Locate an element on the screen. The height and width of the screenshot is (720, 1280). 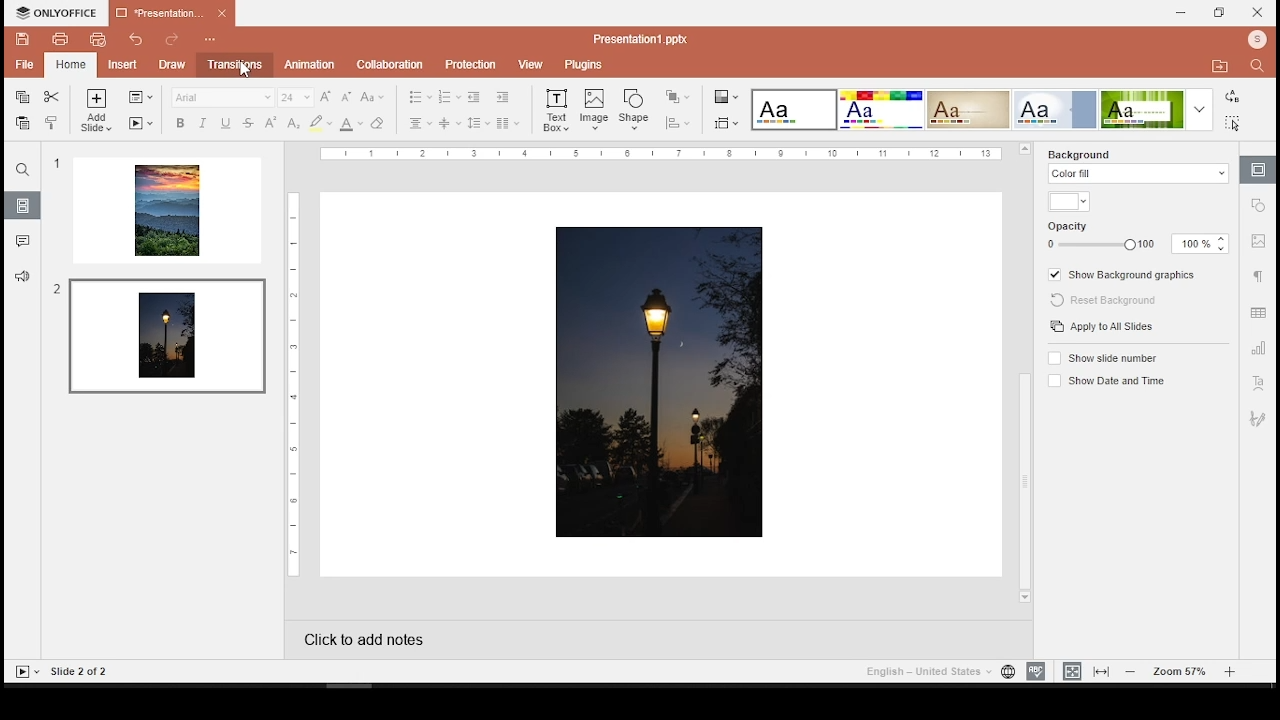
underline is located at coordinates (225, 123).